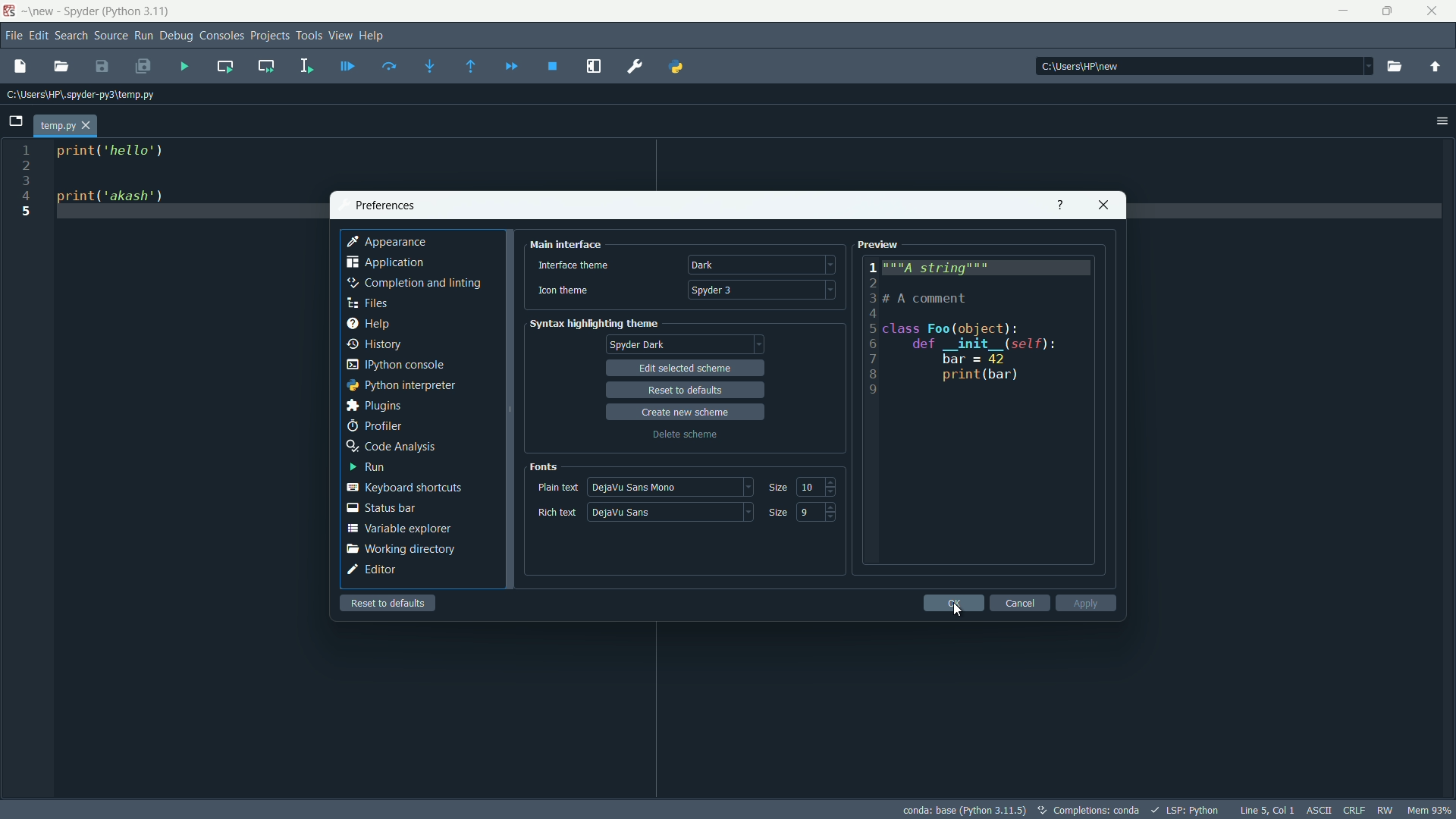 The image size is (1456, 819). What do you see at coordinates (1435, 11) in the screenshot?
I see `close app` at bounding box center [1435, 11].